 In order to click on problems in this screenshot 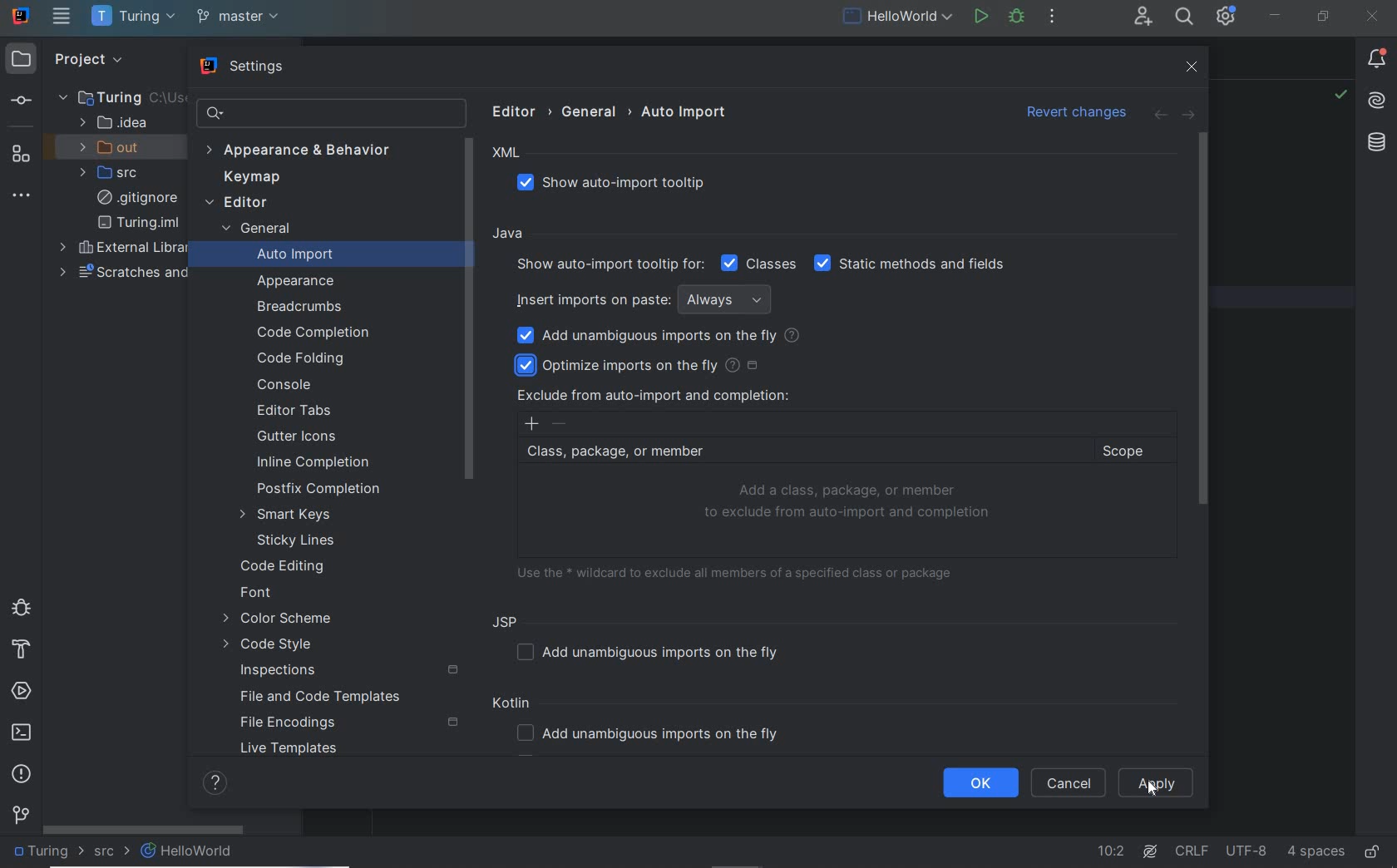, I will do `click(22, 773)`.